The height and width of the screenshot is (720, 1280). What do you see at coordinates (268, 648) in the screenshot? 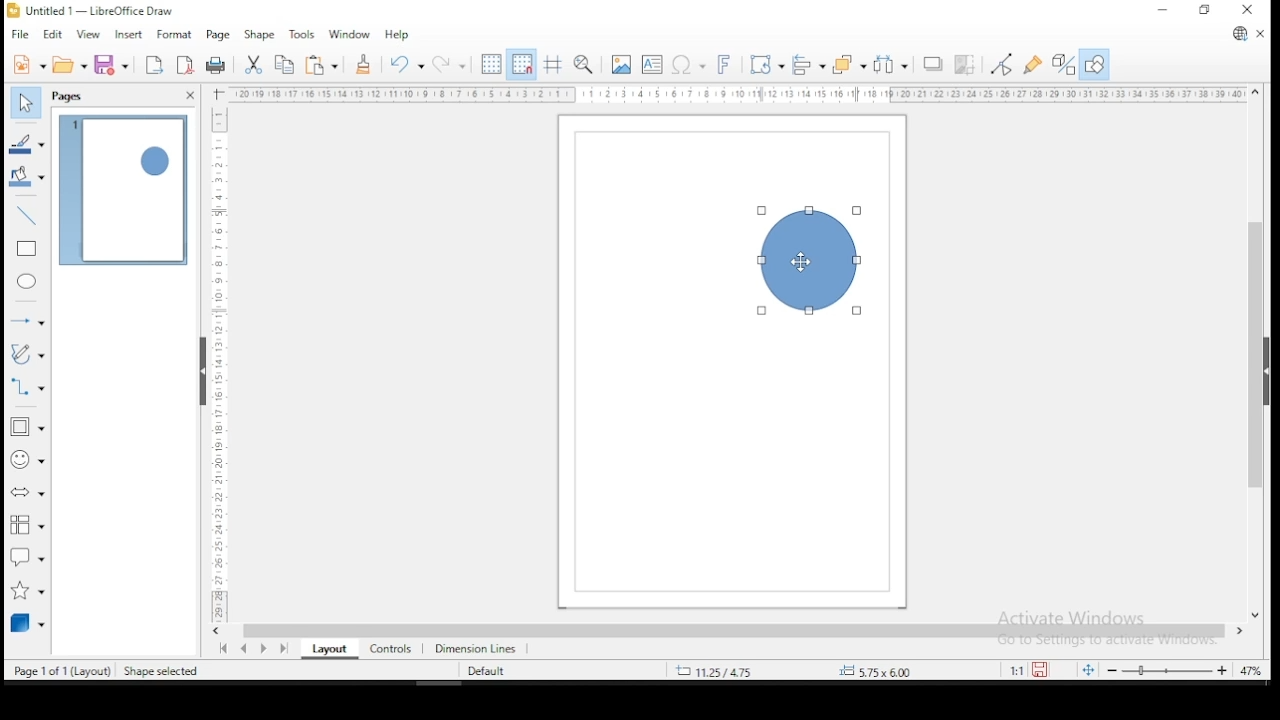
I see `next page` at bounding box center [268, 648].